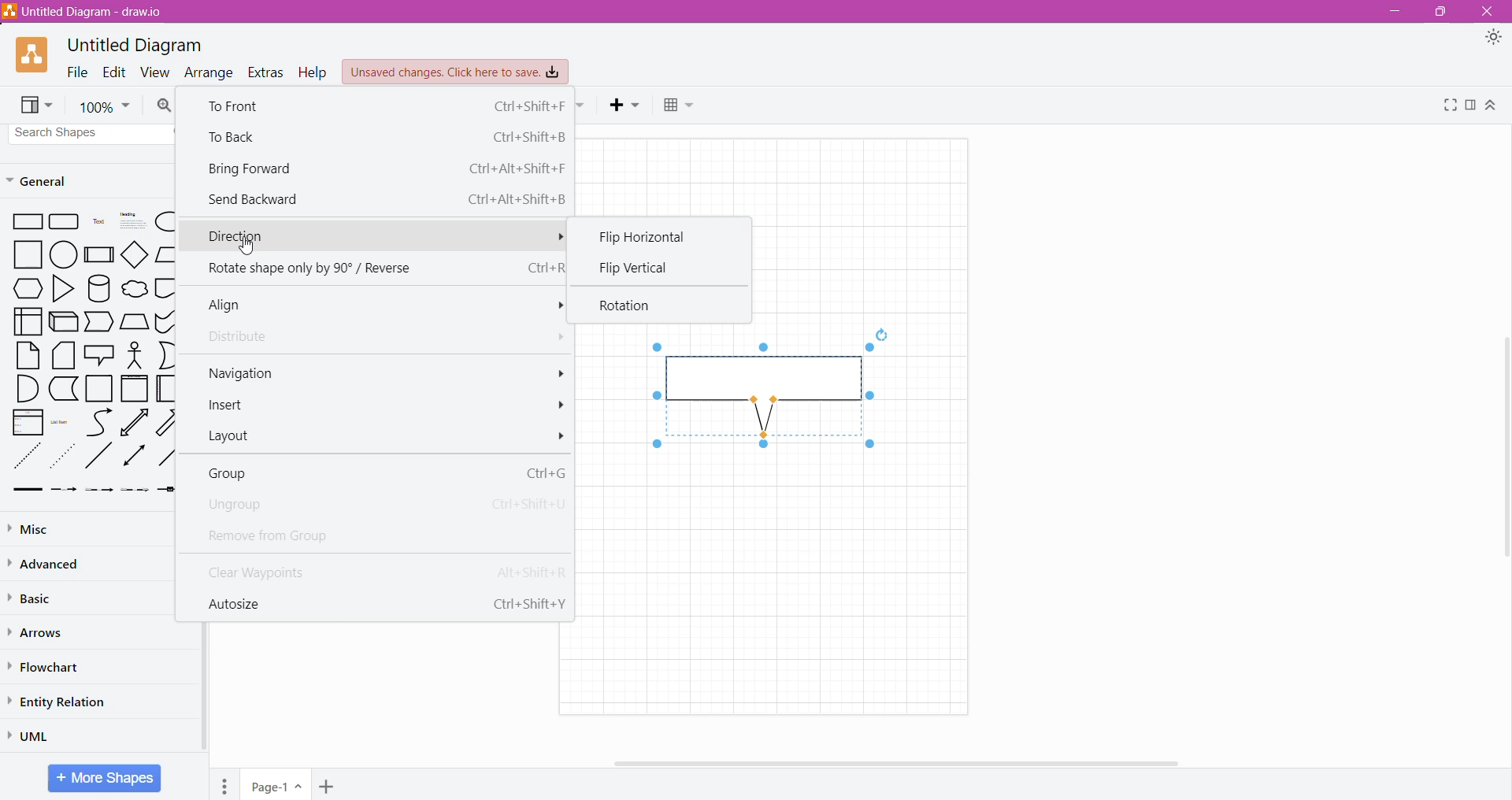 This screenshot has width=1512, height=800. Describe the element at coordinates (38, 106) in the screenshot. I see `View` at that location.